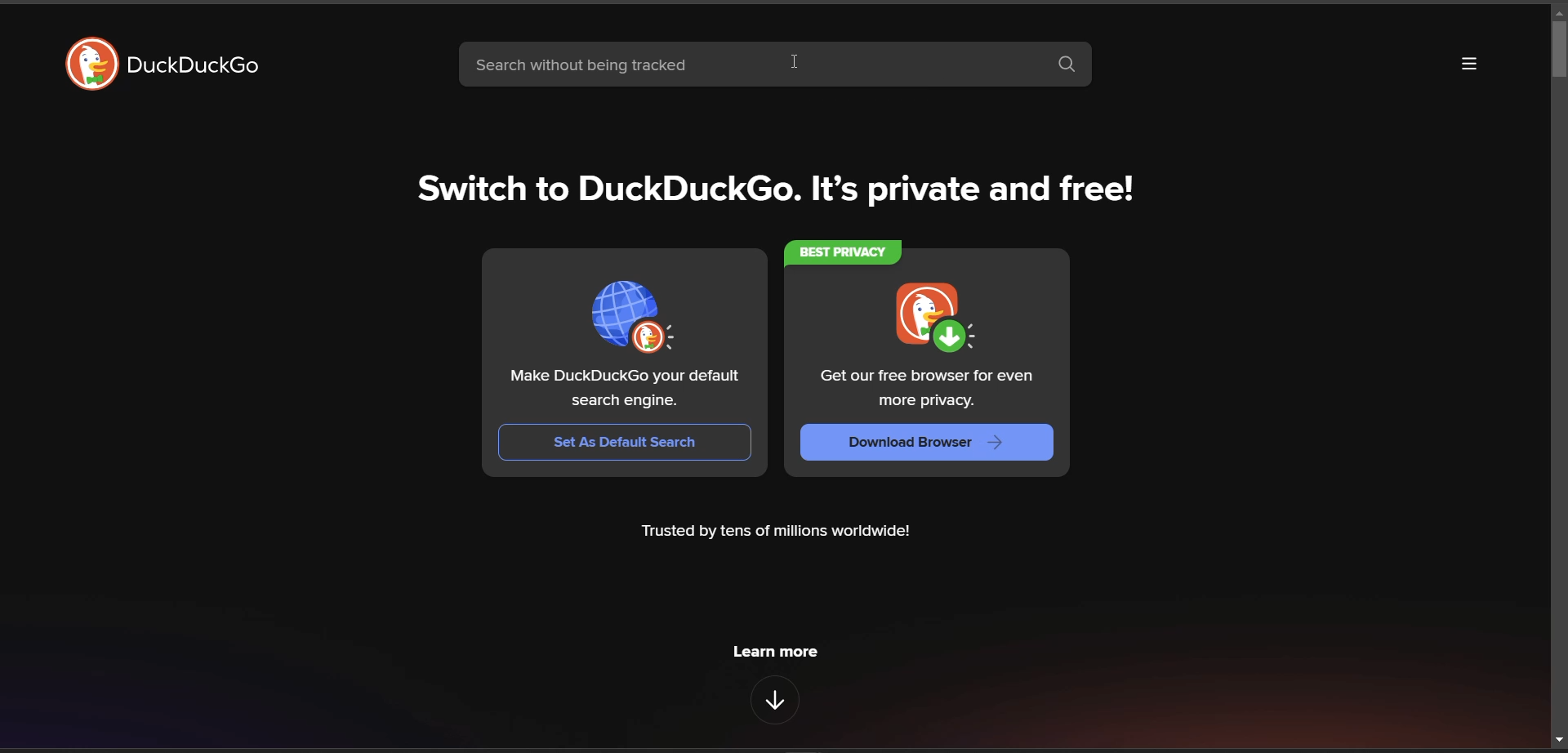 The height and width of the screenshot is (753, 1568). I want to click on icon, so click(630, 314).